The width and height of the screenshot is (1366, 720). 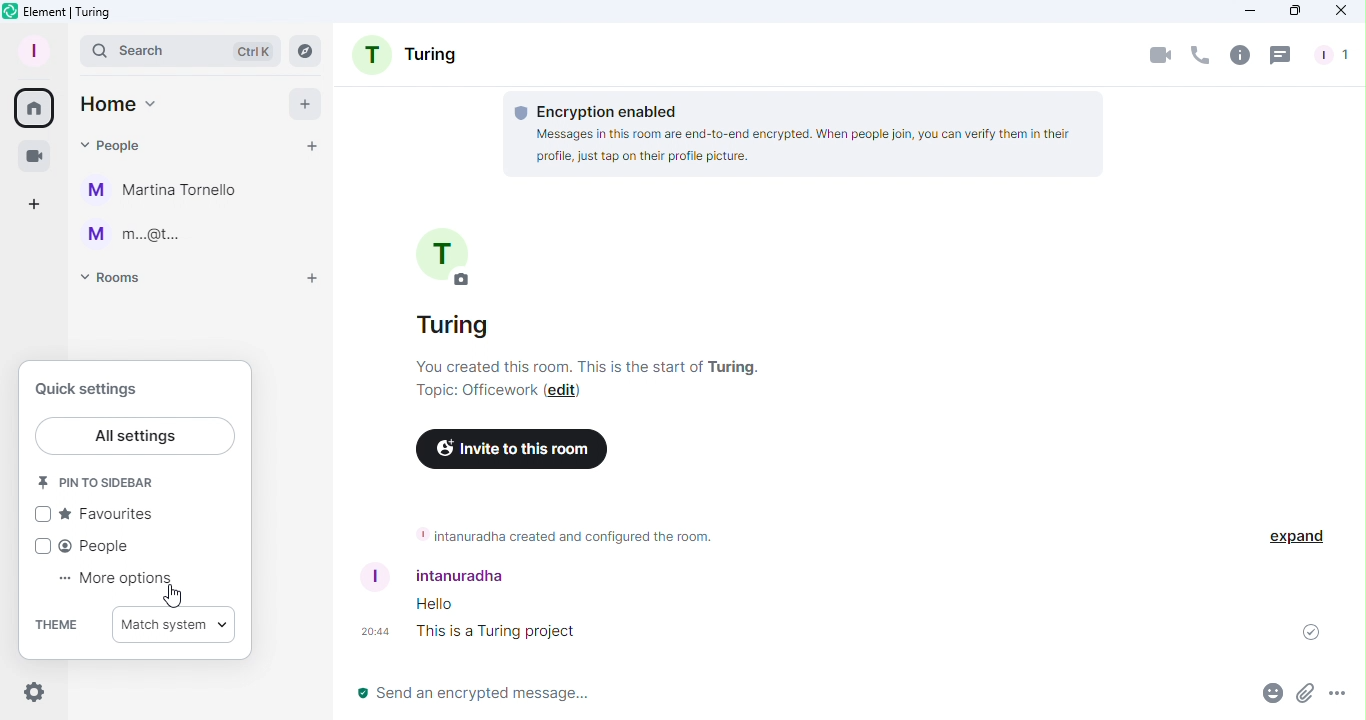 What do you see at coordinates (301, 48) in the screenshot?
I see `Explore rooms` at bounding box center [301, 48].